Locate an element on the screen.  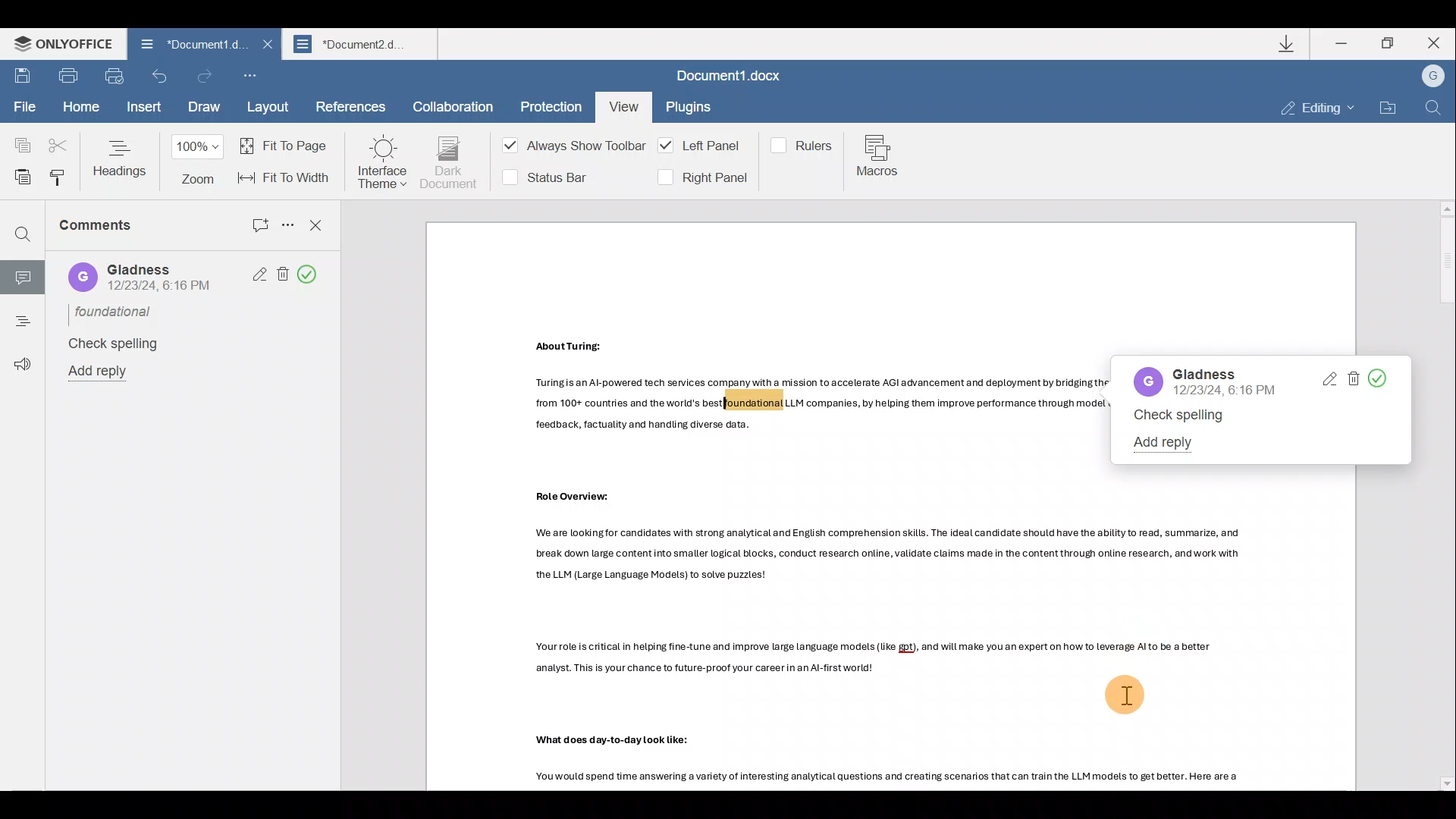
Fit to width is located at coordinates (286, 177).